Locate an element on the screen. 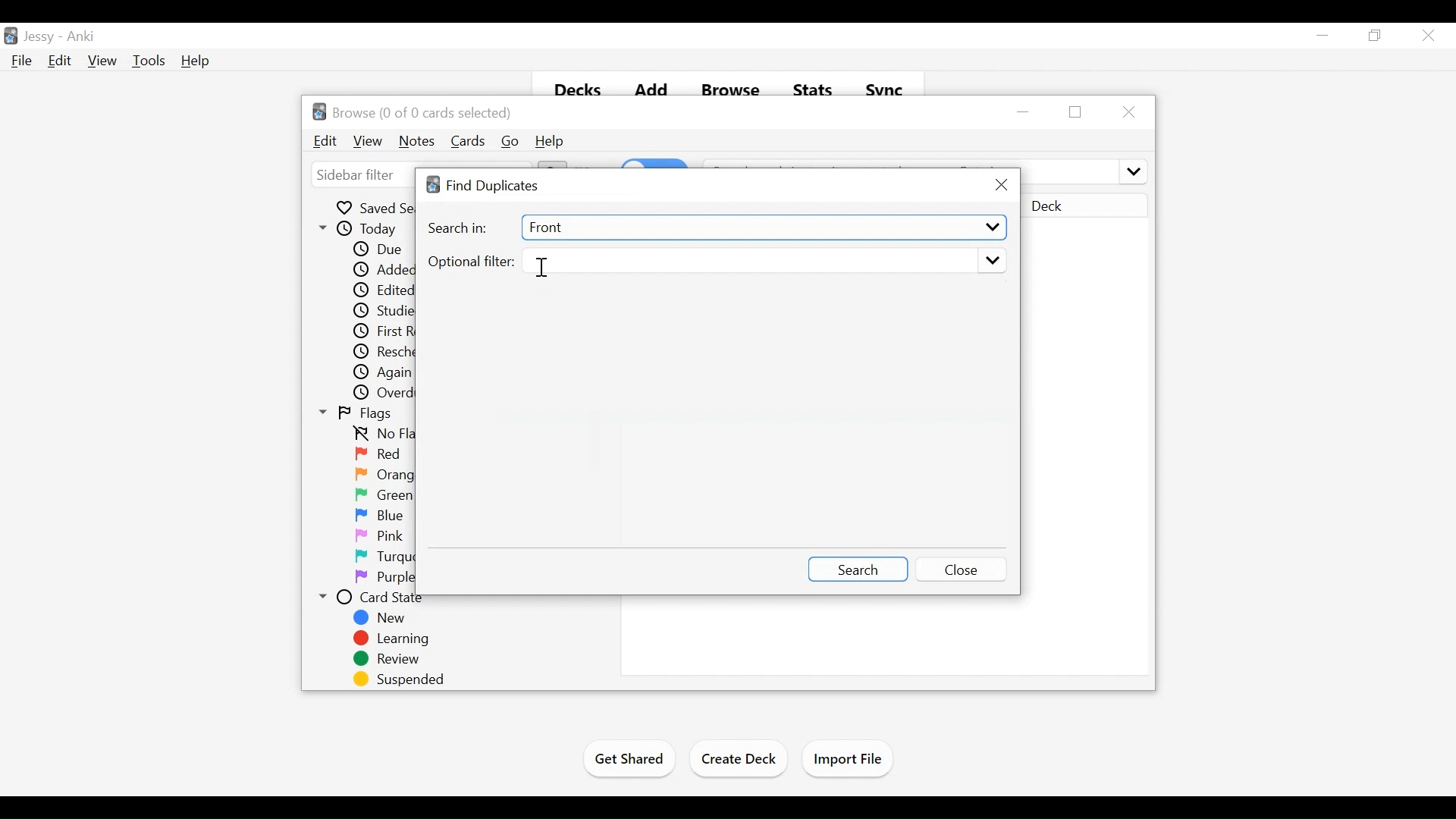  View is located at coordinates (369, 142).